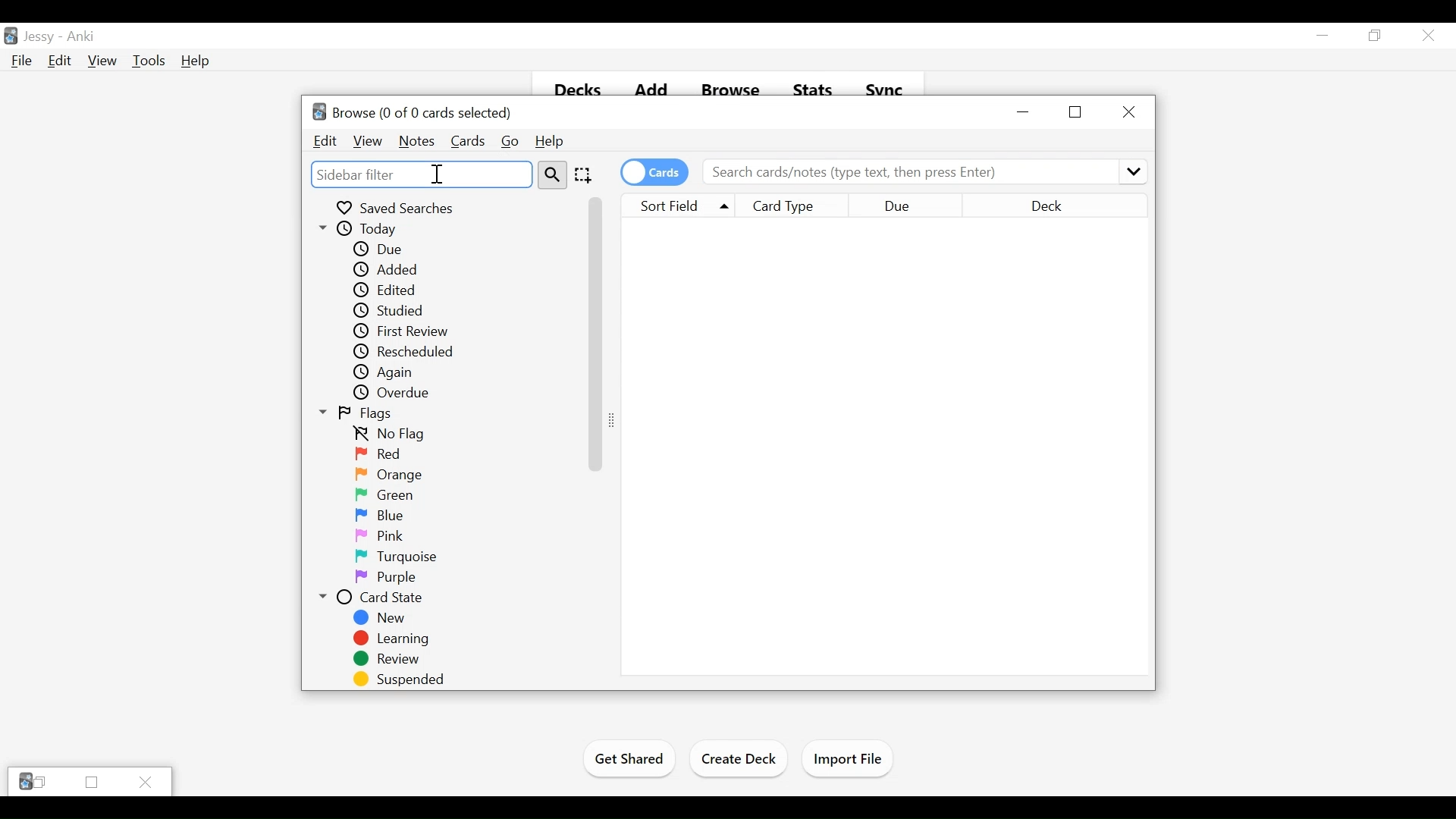 The height and width of the screenshot is (819, 1456). I want to click on Close, so click(1128, 111).